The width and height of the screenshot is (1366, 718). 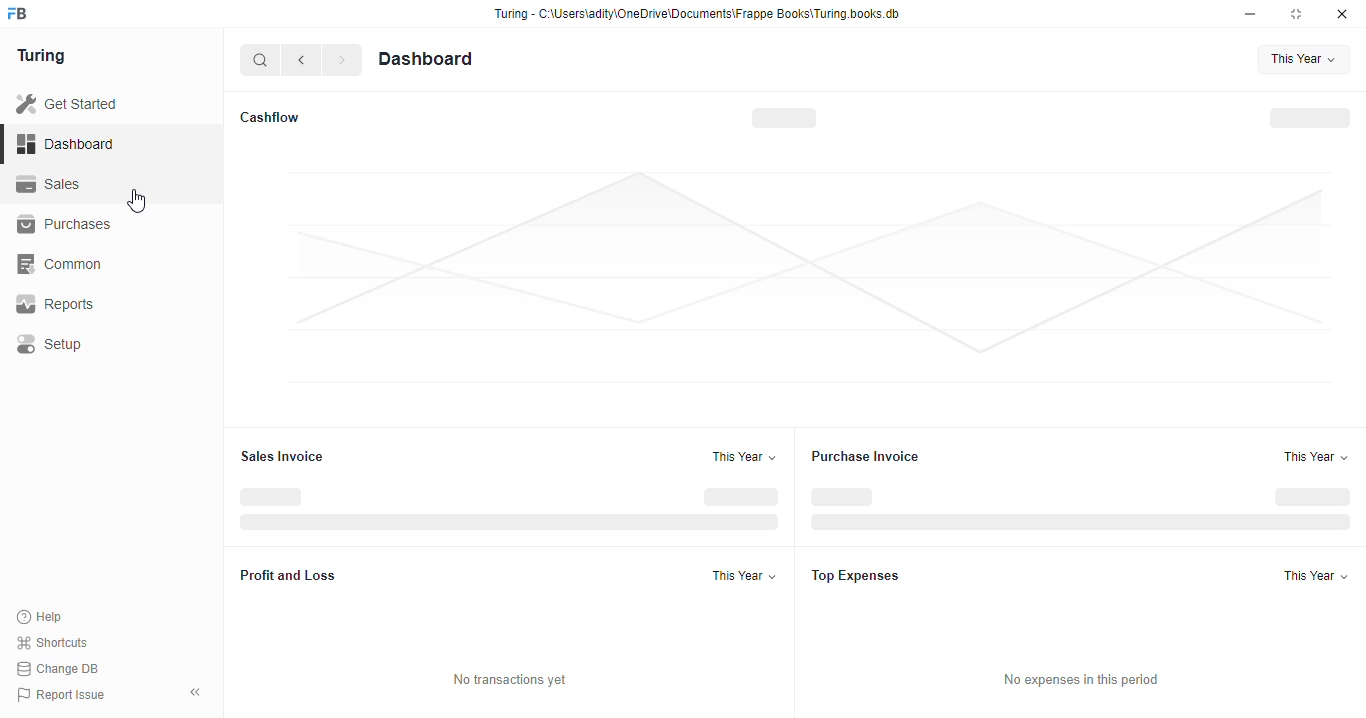 What do you see at coordinates (305, 61) in the screenshot?
I see `go back` at bounding box center [305, 61].